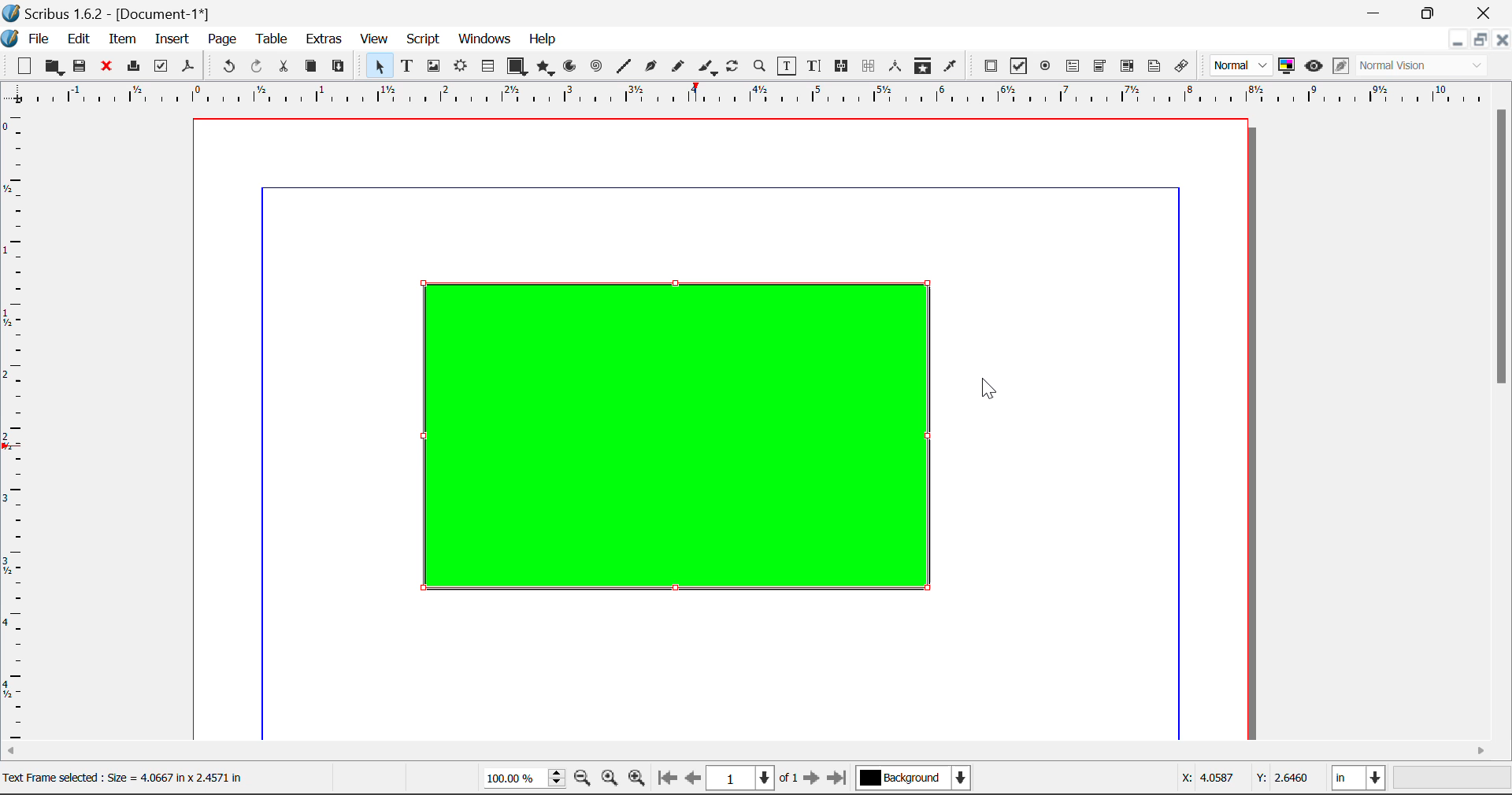 Image resolution: width=1512 pixels, height=795 pixels. I want to click on Tables, so click(487, 66).